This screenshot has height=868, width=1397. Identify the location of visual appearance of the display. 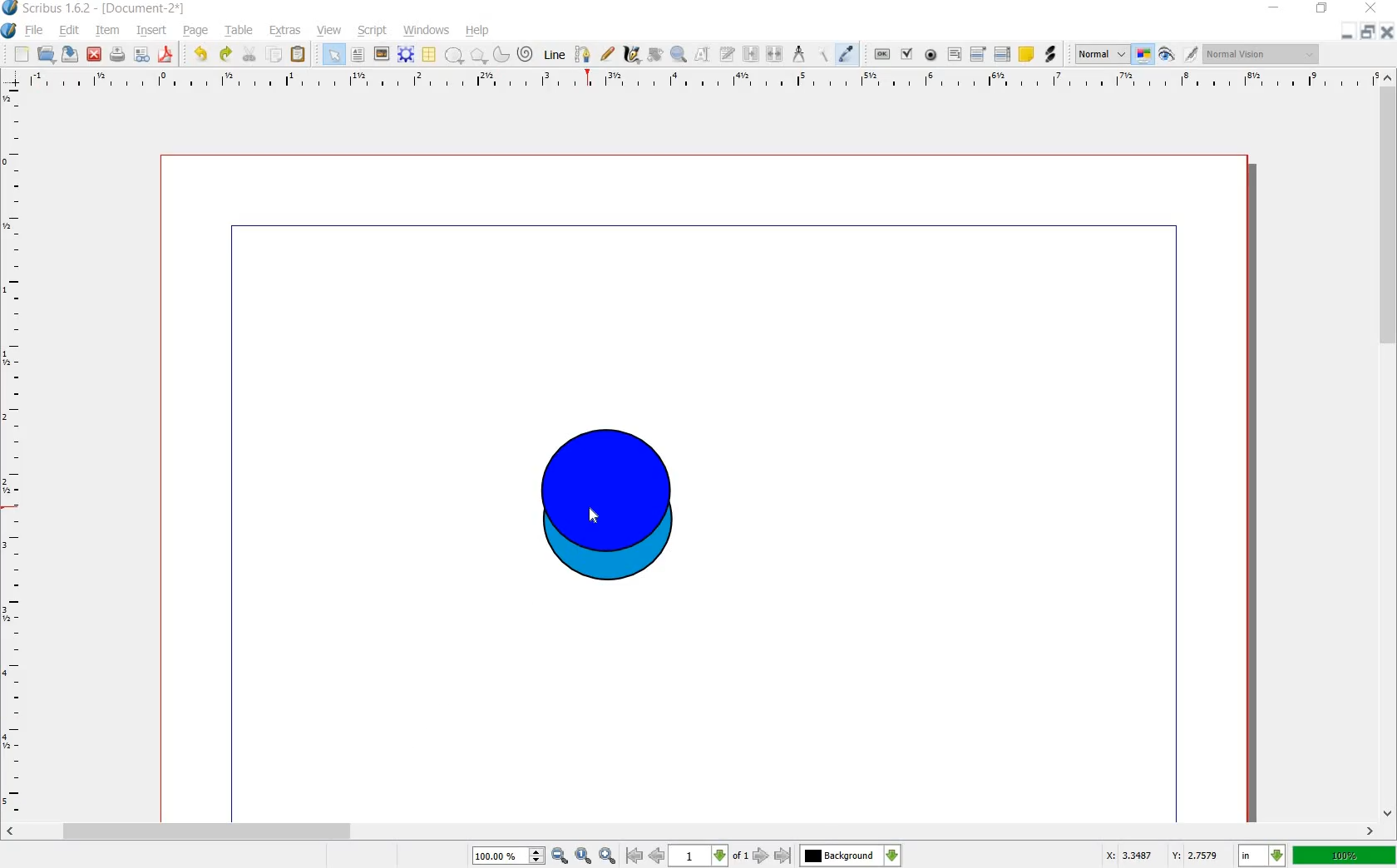
(1261, 55).